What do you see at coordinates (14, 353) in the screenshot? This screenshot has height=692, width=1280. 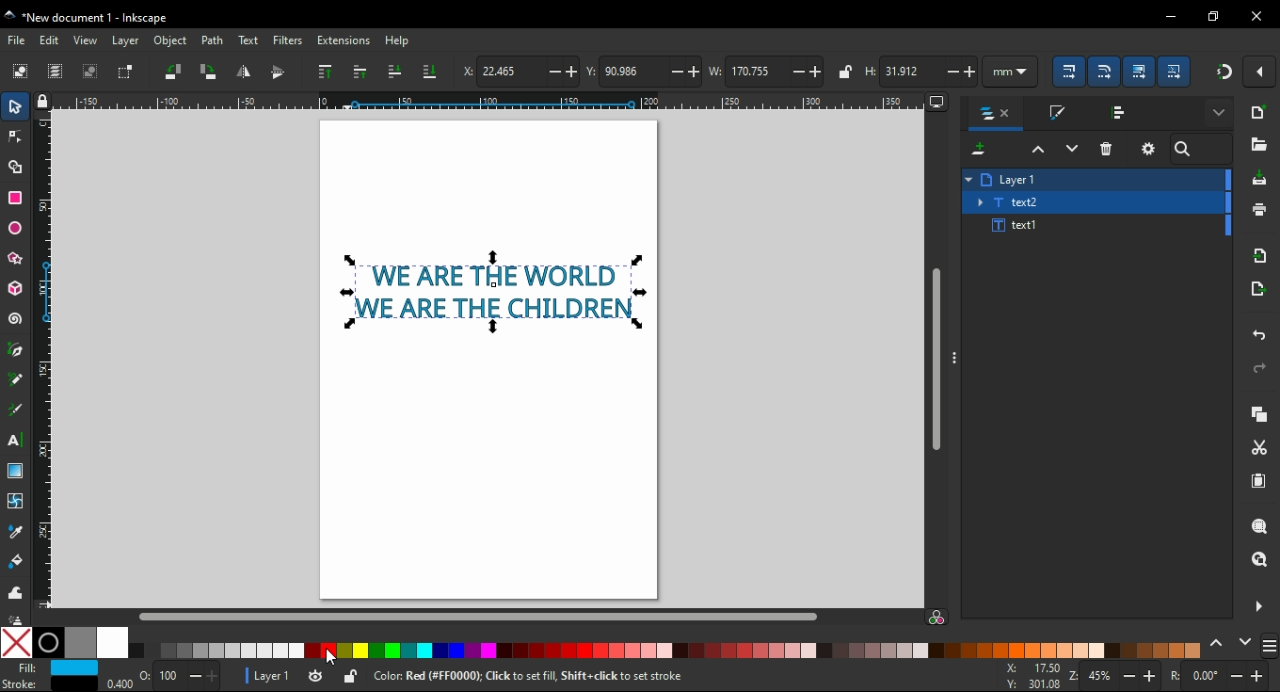 I see `pen tool` at bounding box center [14, 353].